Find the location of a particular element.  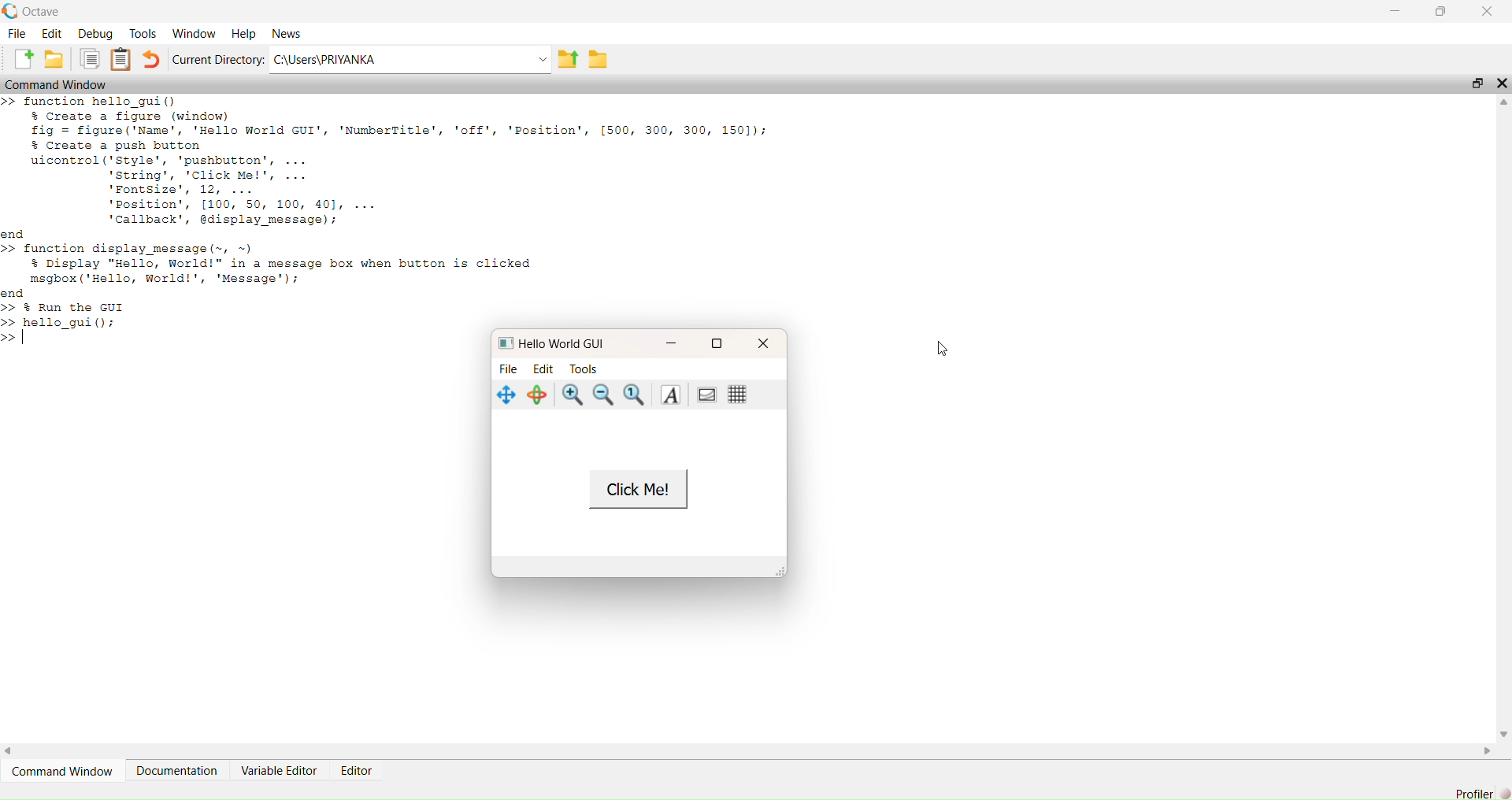

Debug is located at coordinates (98, 34).